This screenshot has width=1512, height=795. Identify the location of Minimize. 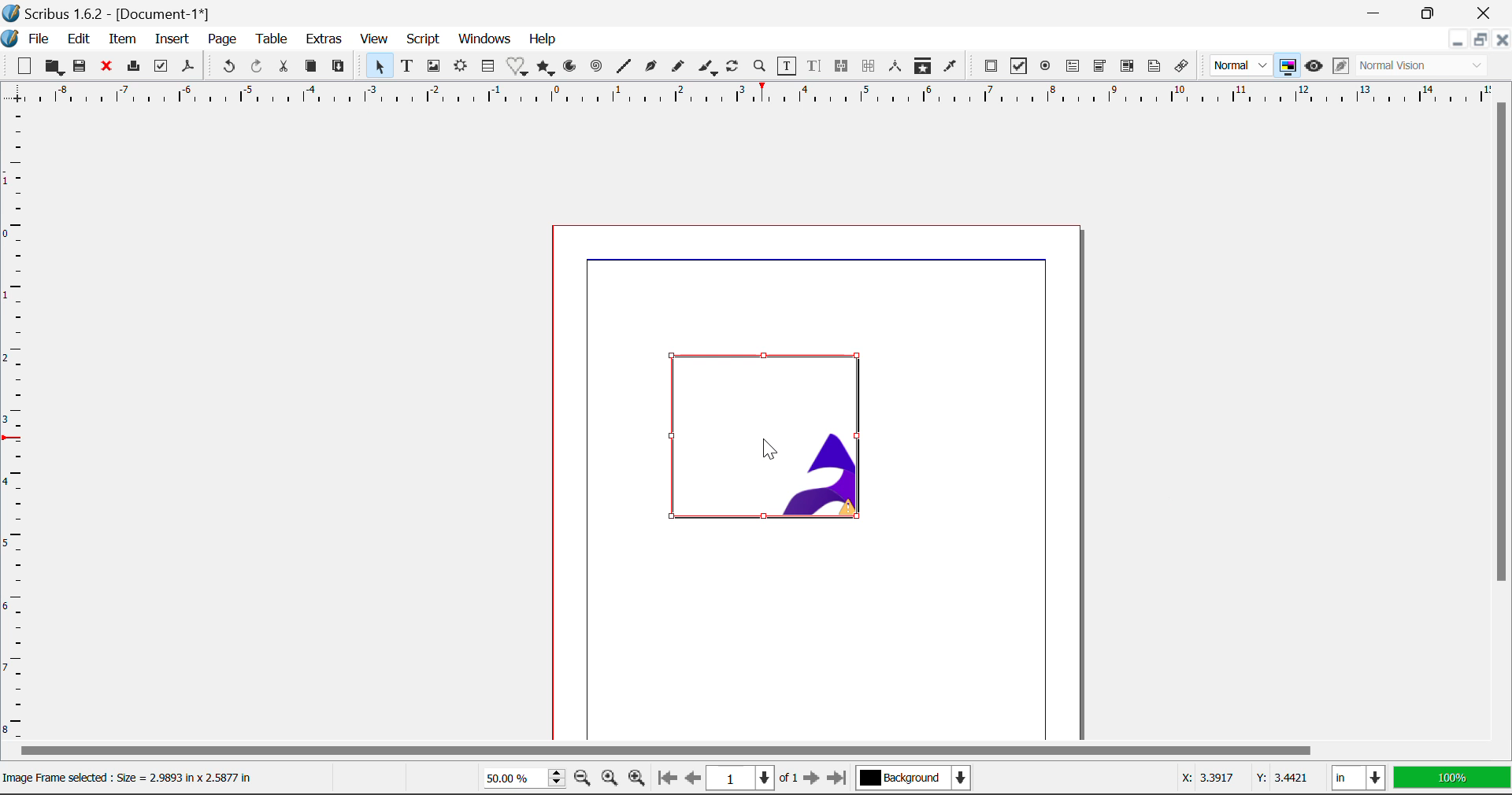
(1432, 13).